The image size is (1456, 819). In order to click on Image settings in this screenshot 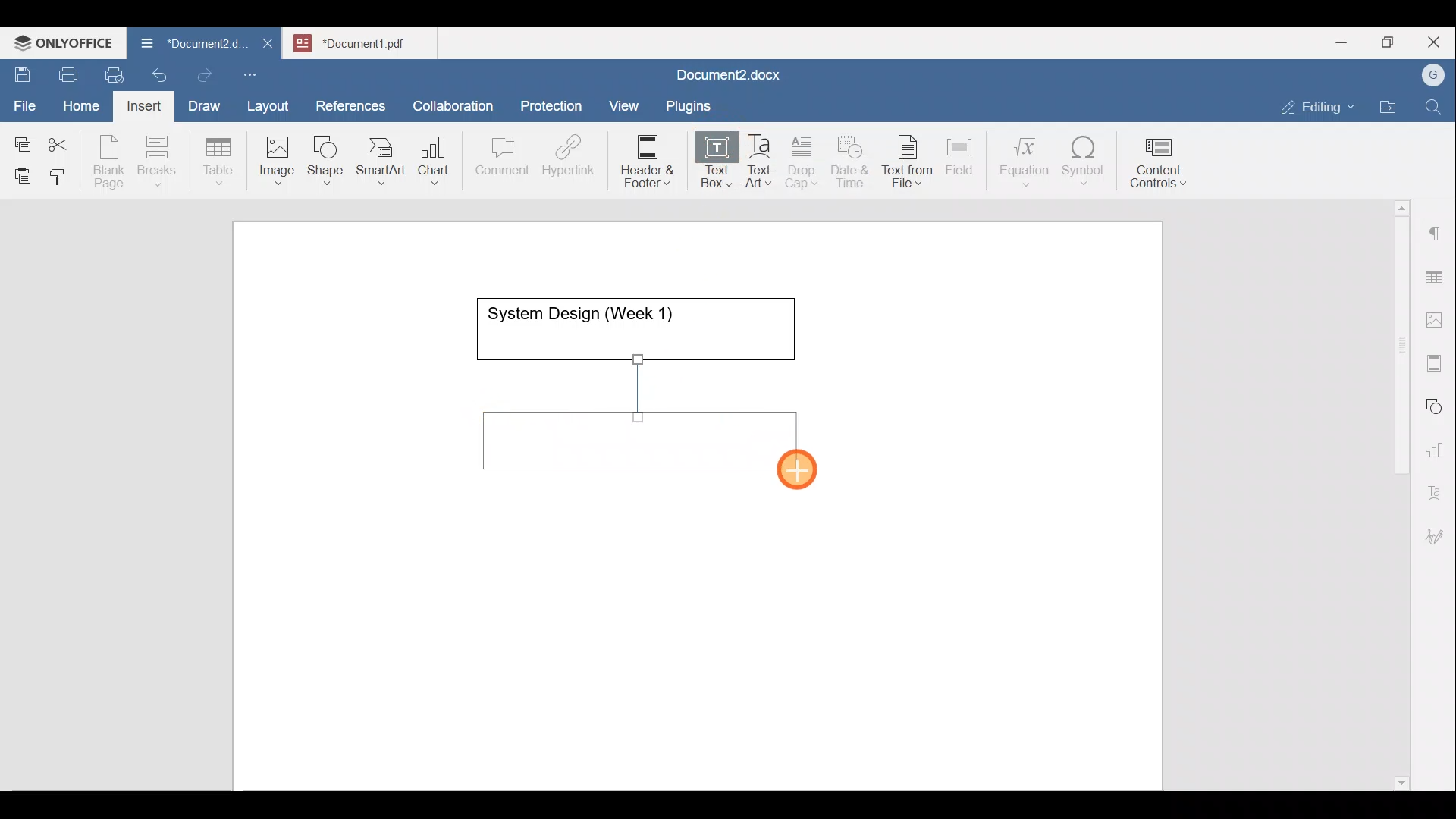, I will do `click(1437, 318)`.